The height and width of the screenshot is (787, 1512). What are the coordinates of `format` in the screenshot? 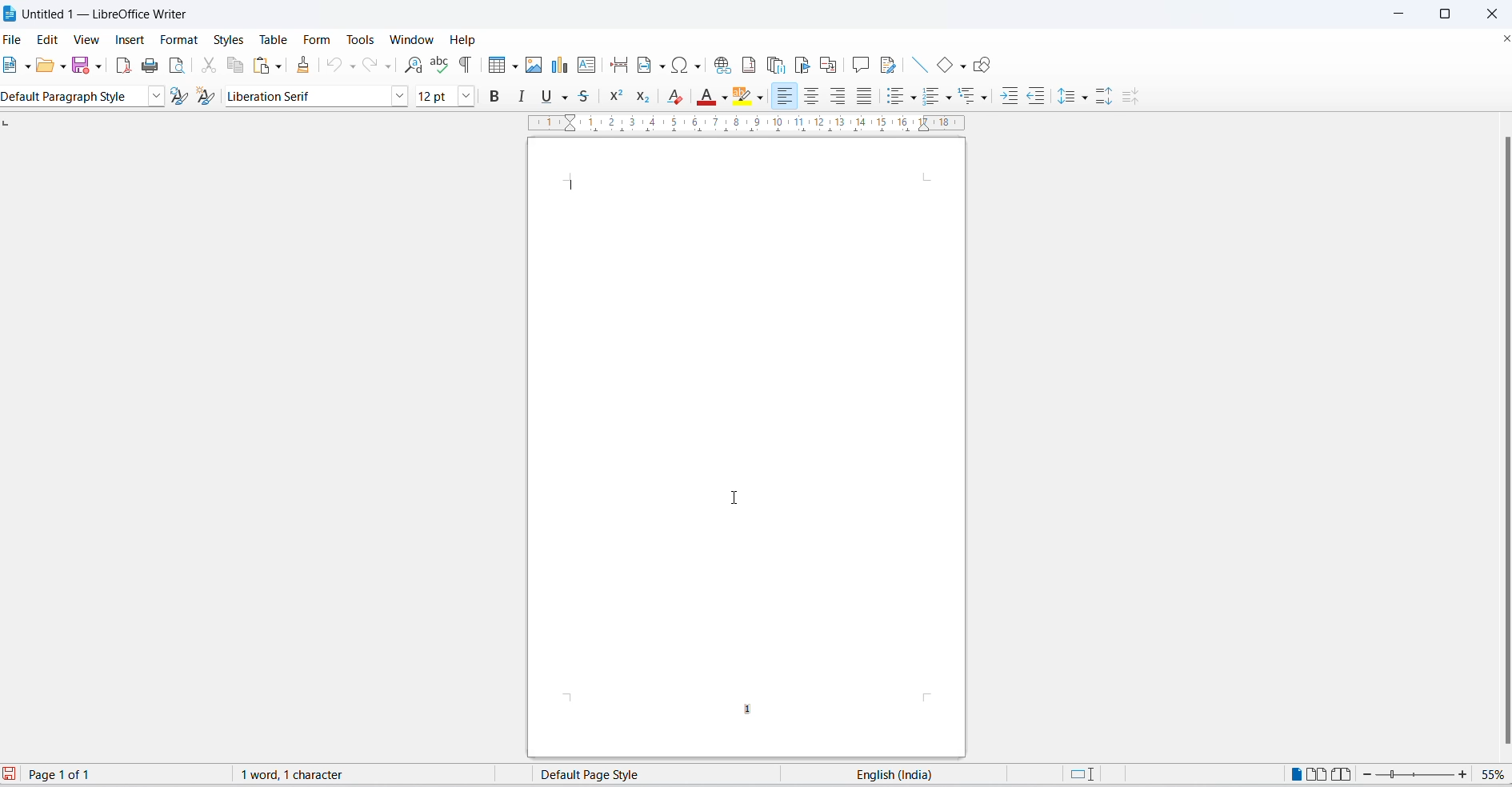 It's located at (180, 40).